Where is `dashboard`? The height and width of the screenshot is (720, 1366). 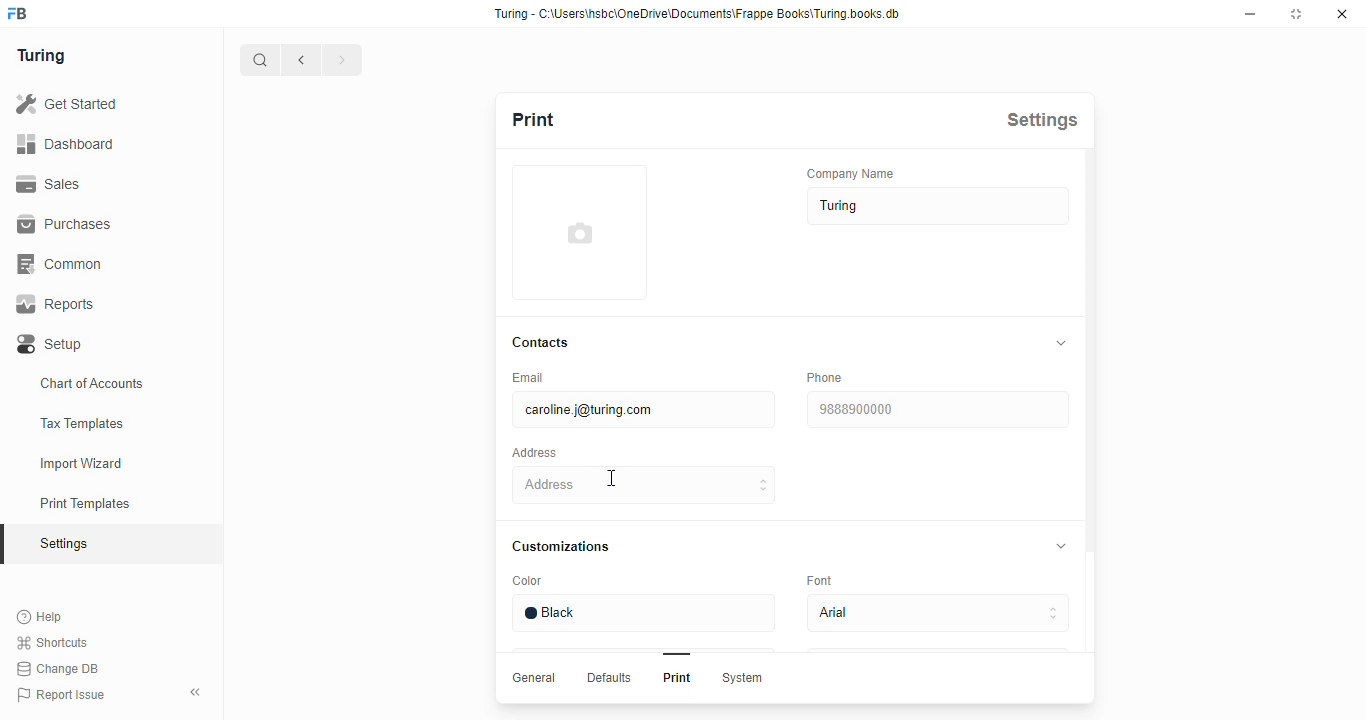 dashboard is located at coordinates (65, 143).